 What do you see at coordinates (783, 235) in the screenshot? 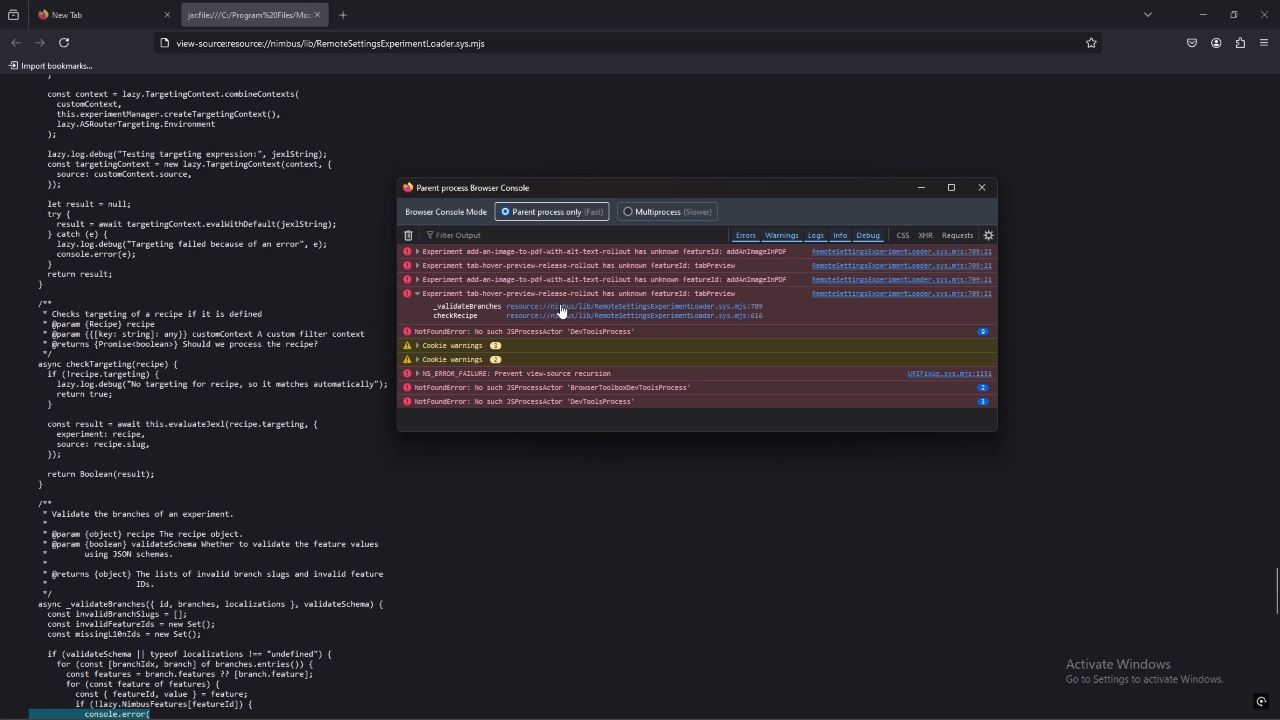
I see `warnings` at bounding box center [783, 235].